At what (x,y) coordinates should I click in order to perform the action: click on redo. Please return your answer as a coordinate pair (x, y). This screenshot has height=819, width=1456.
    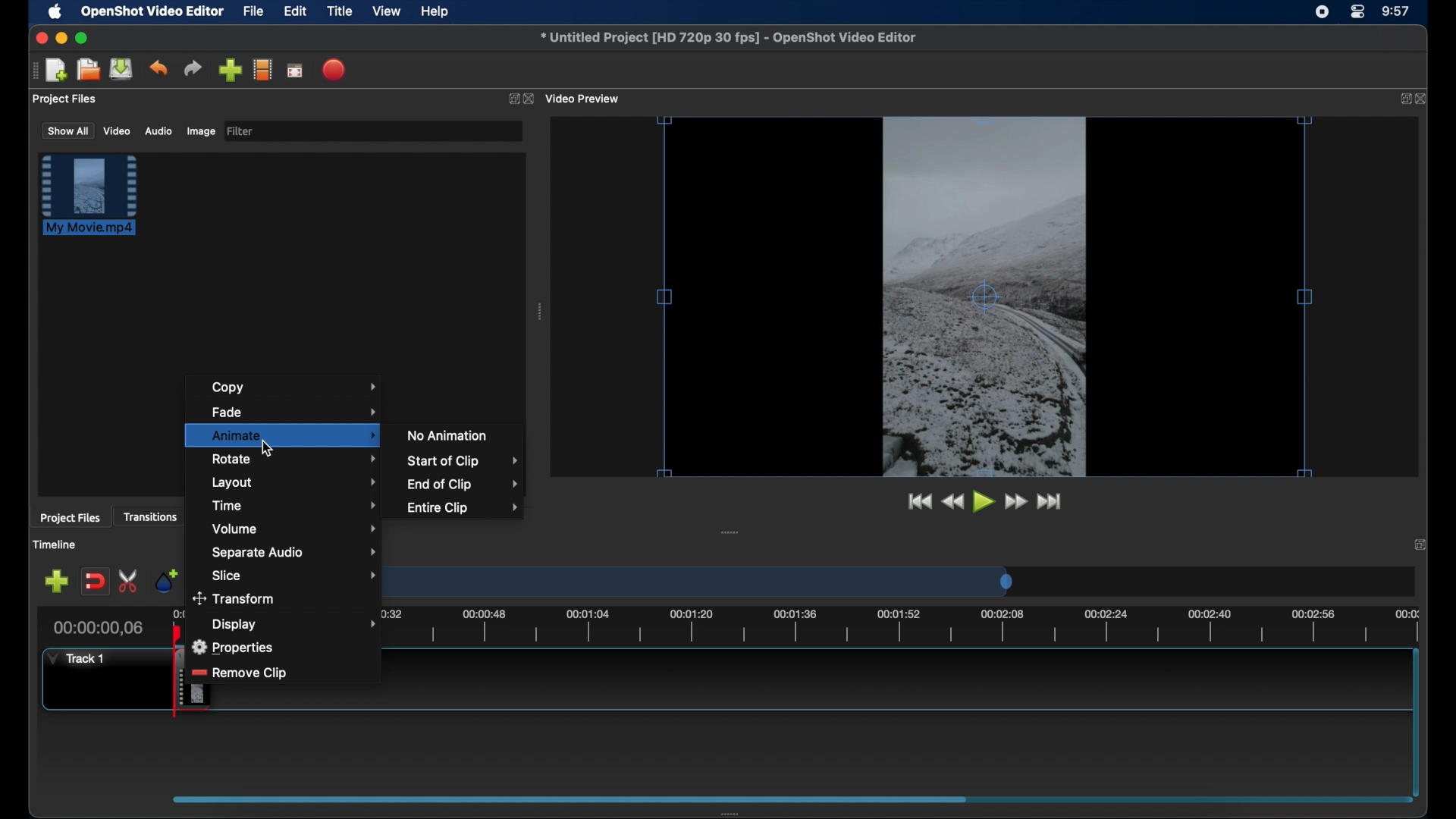
    Looking at the image, I should click on (193, 68).